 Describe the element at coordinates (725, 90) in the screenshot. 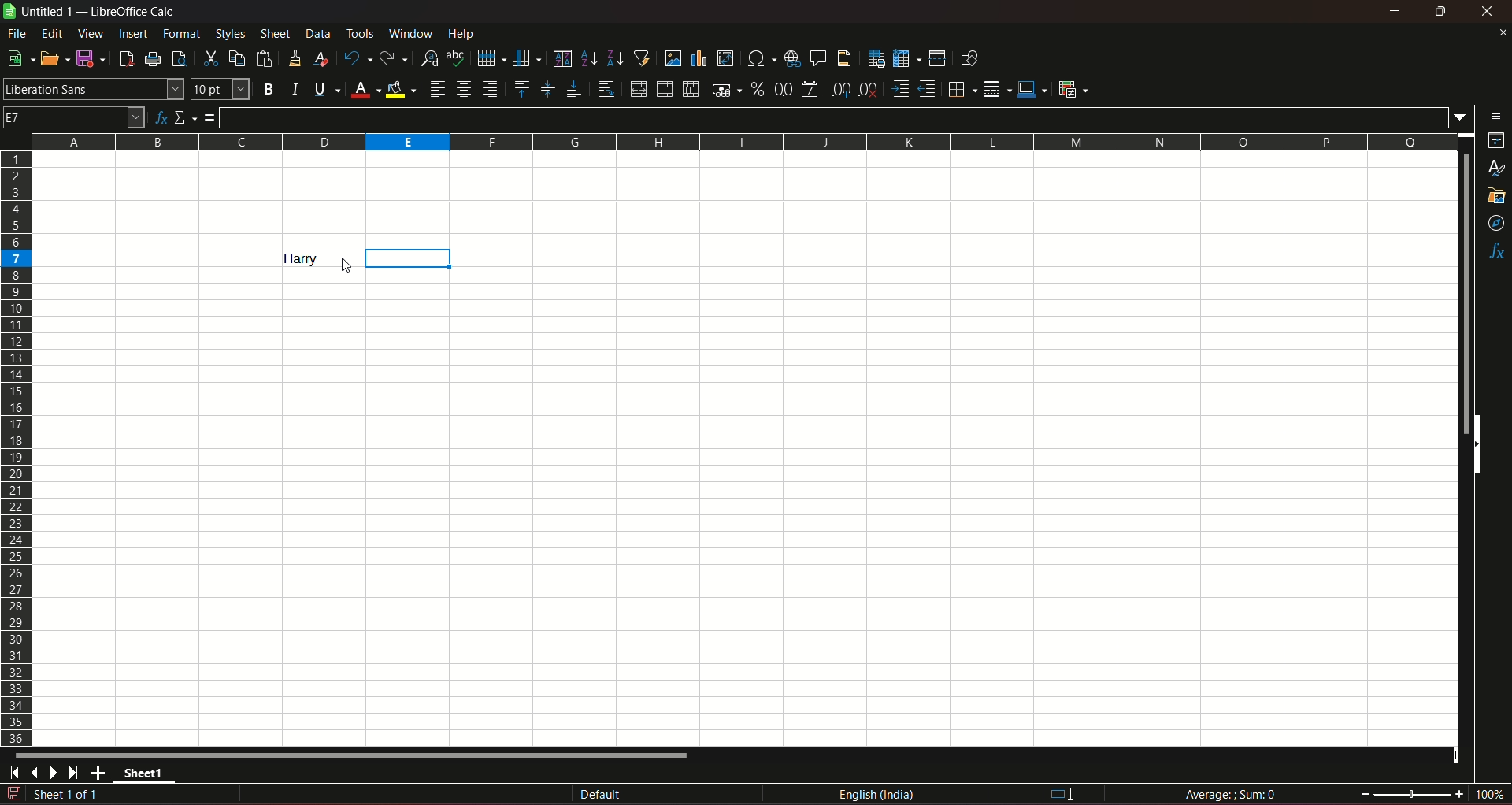

I see `format as currency` at that location.